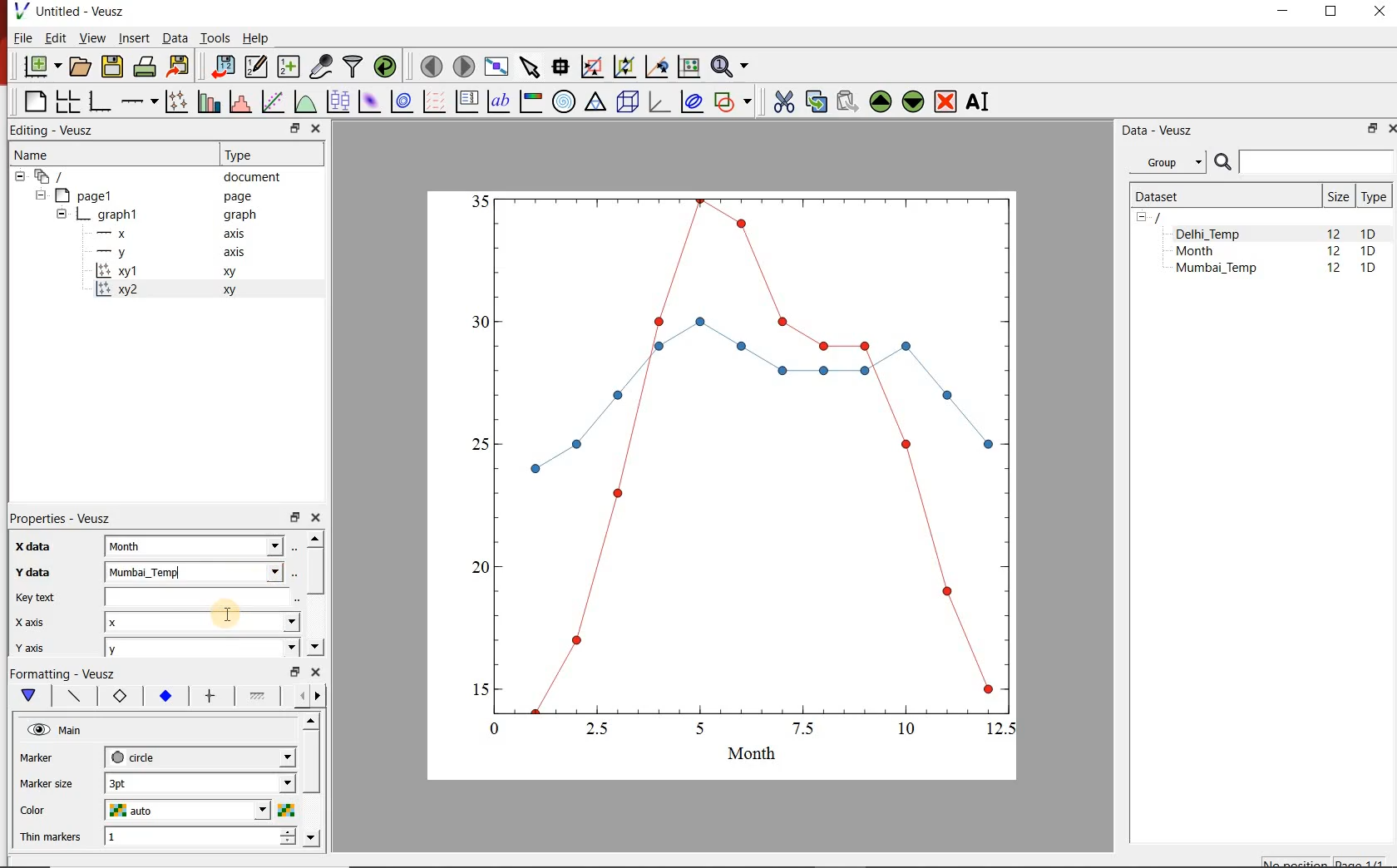 This screenshot has height=868, width=1397. I want to click on Editing - Veusz, so click(62, 129).